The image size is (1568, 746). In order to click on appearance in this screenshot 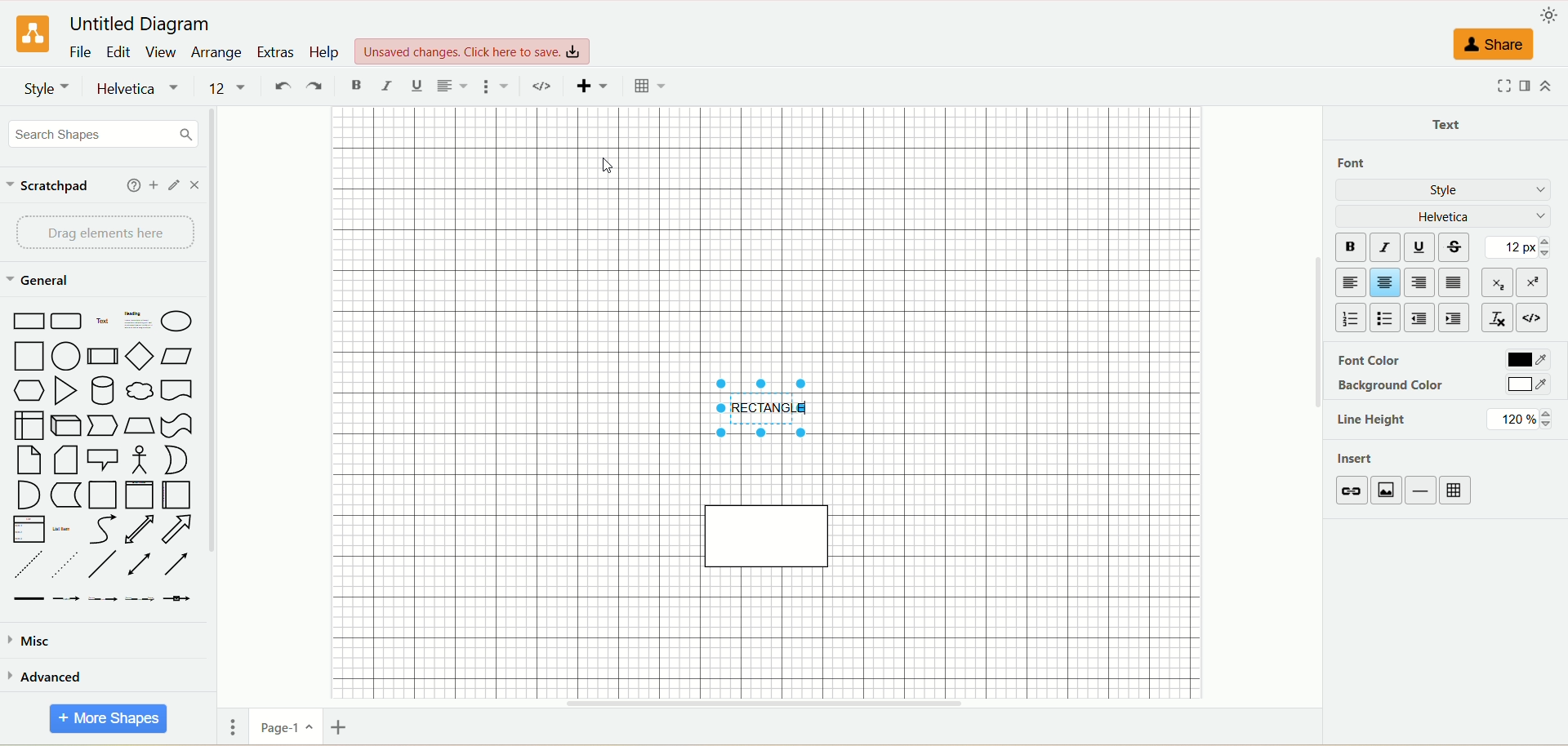, I will do `click(1552, 15)`.